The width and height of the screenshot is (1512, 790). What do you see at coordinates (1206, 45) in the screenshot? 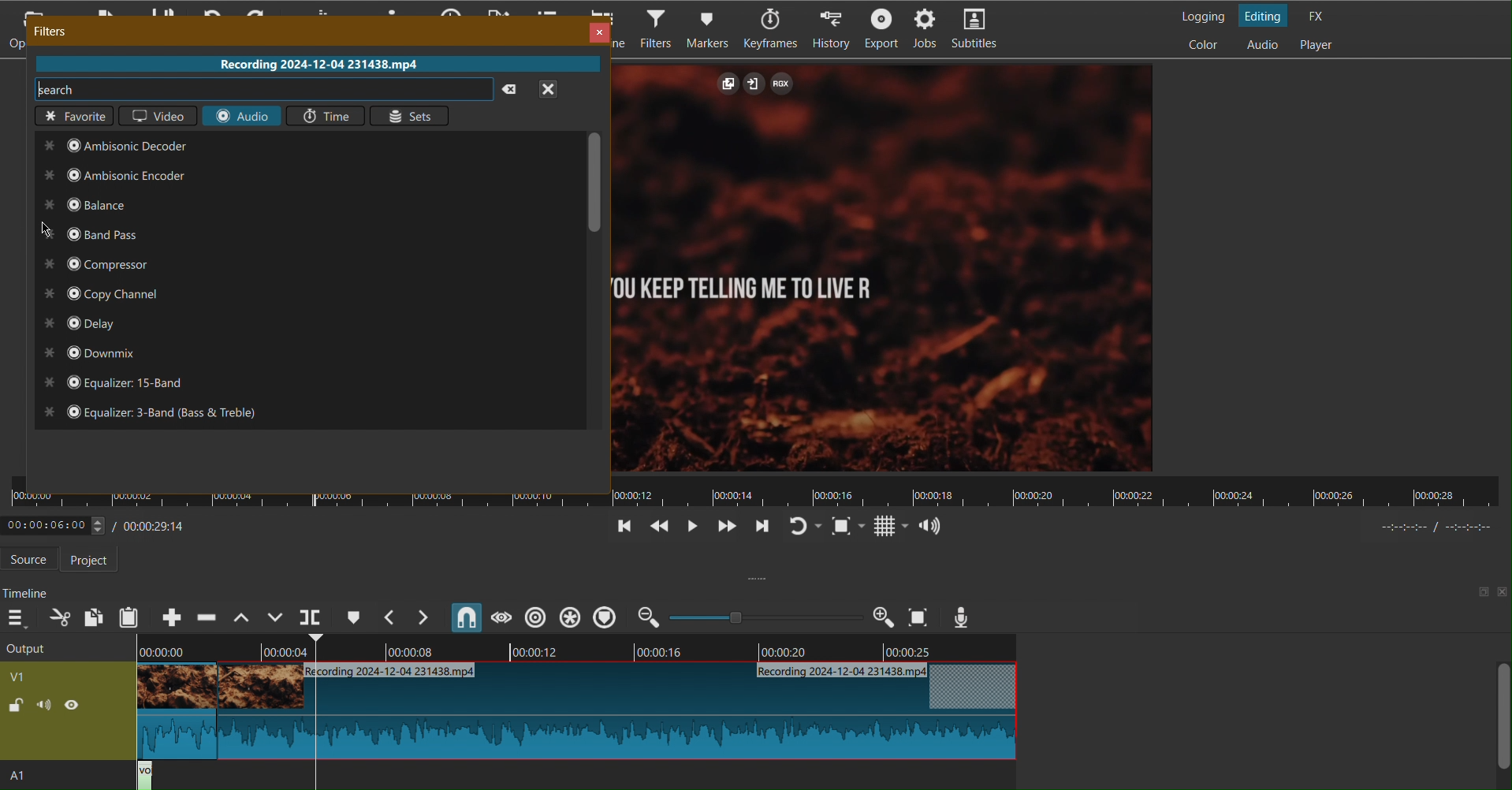
I see `Color` at bounding box center [1206, 45].